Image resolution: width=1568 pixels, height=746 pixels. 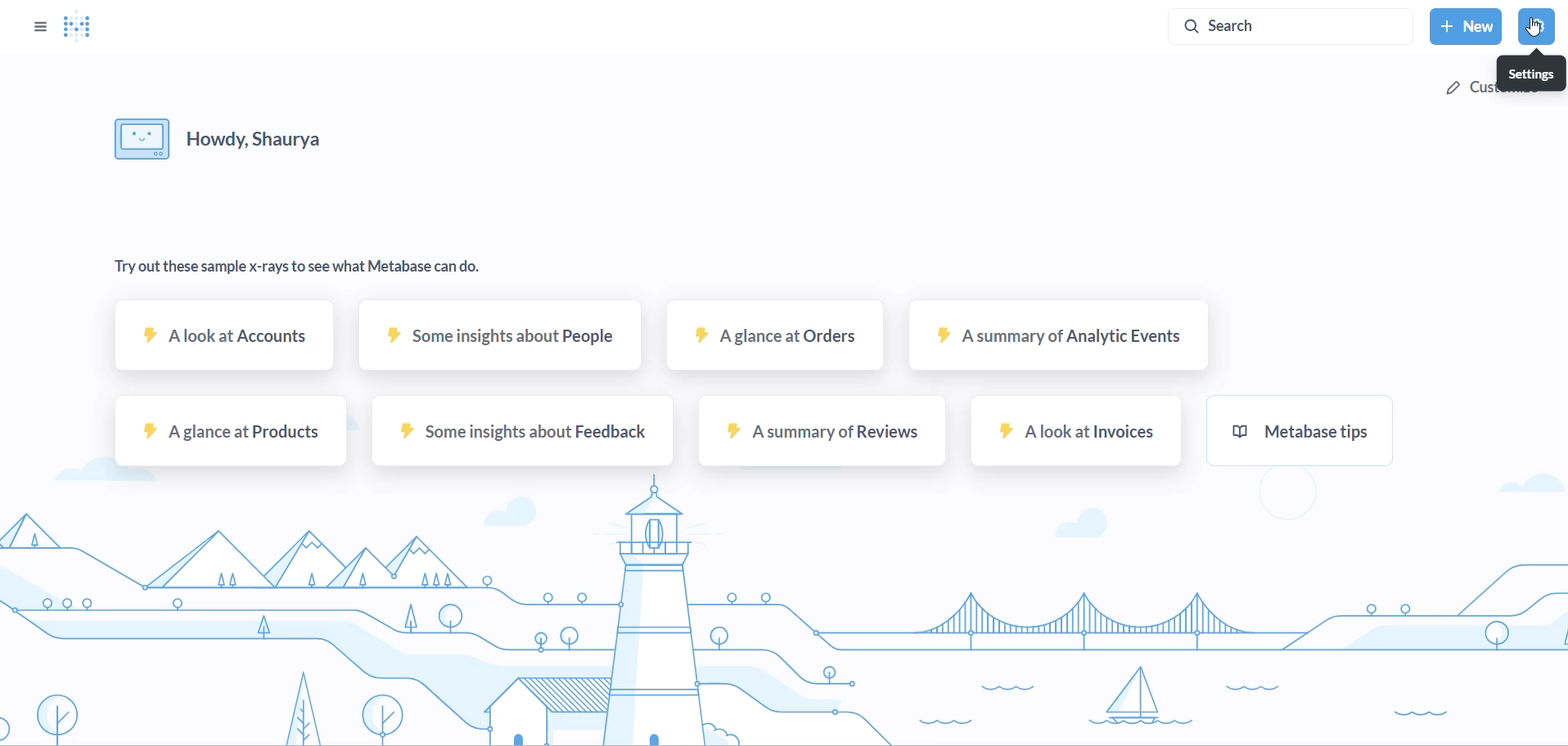 I want to click on TEXT, so click(x=304, y=257).